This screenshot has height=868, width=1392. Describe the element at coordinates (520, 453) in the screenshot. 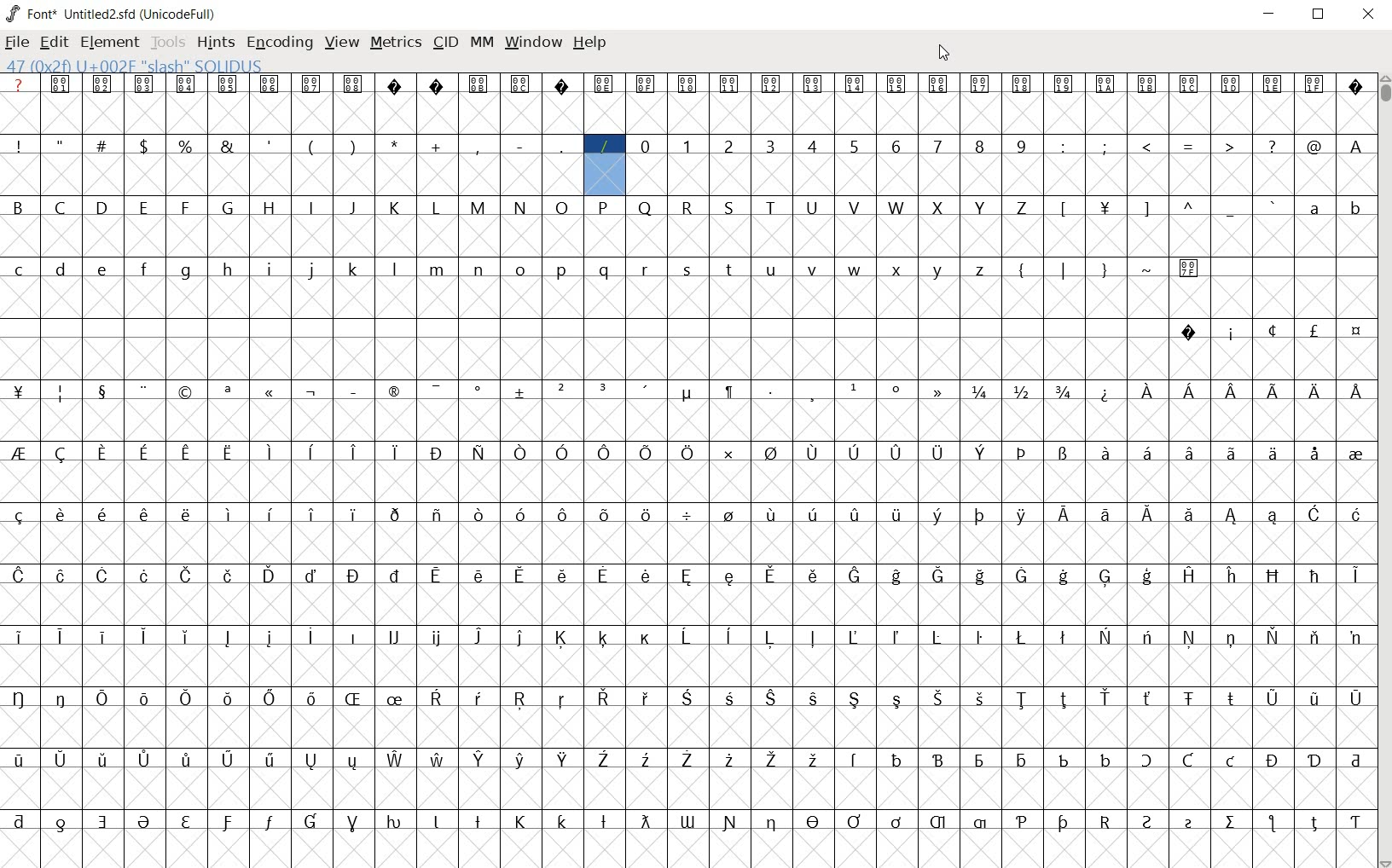

I see `glyph` at that location.